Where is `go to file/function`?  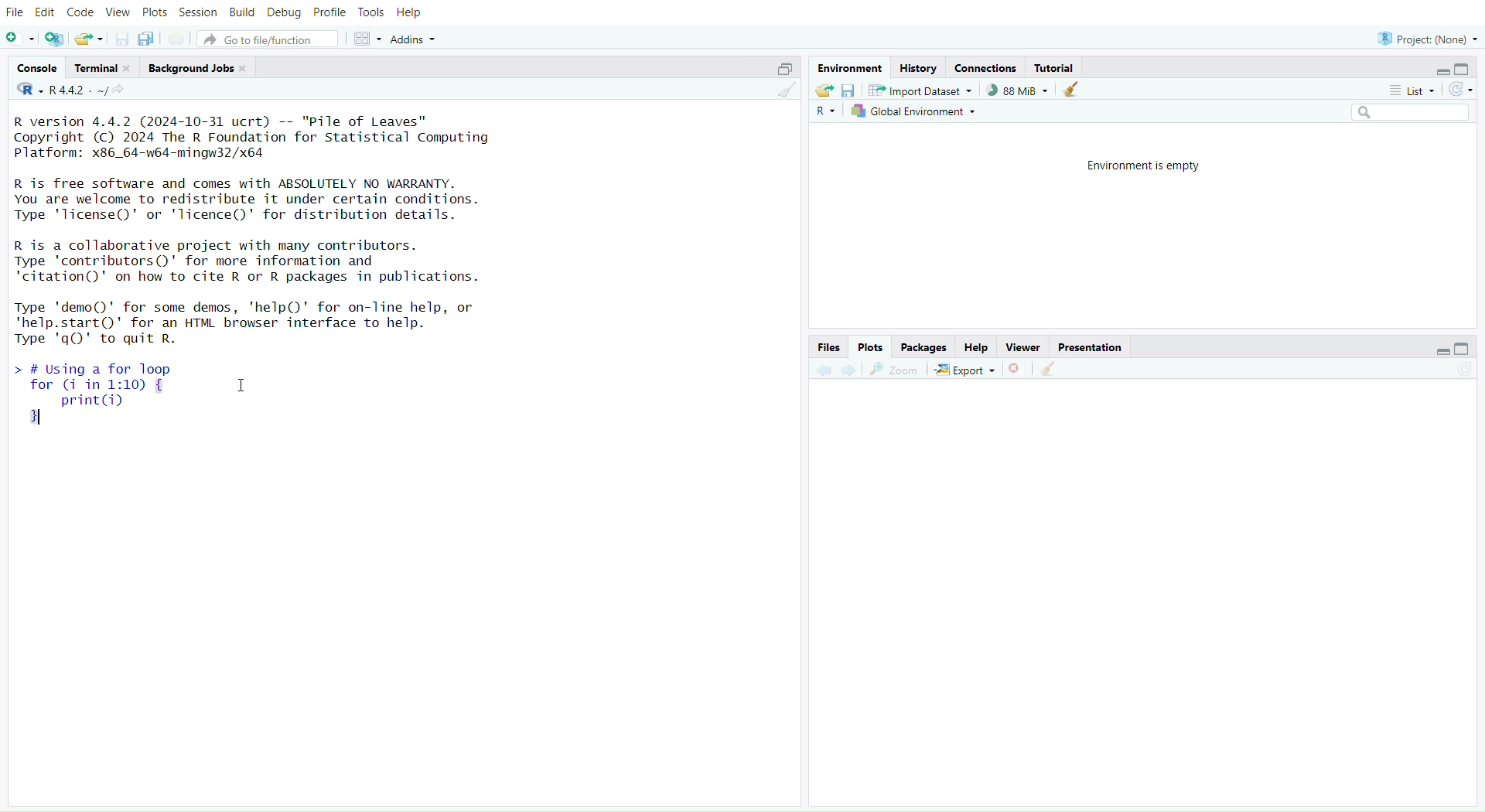
go to file/function is located at coordinates (268, 39).